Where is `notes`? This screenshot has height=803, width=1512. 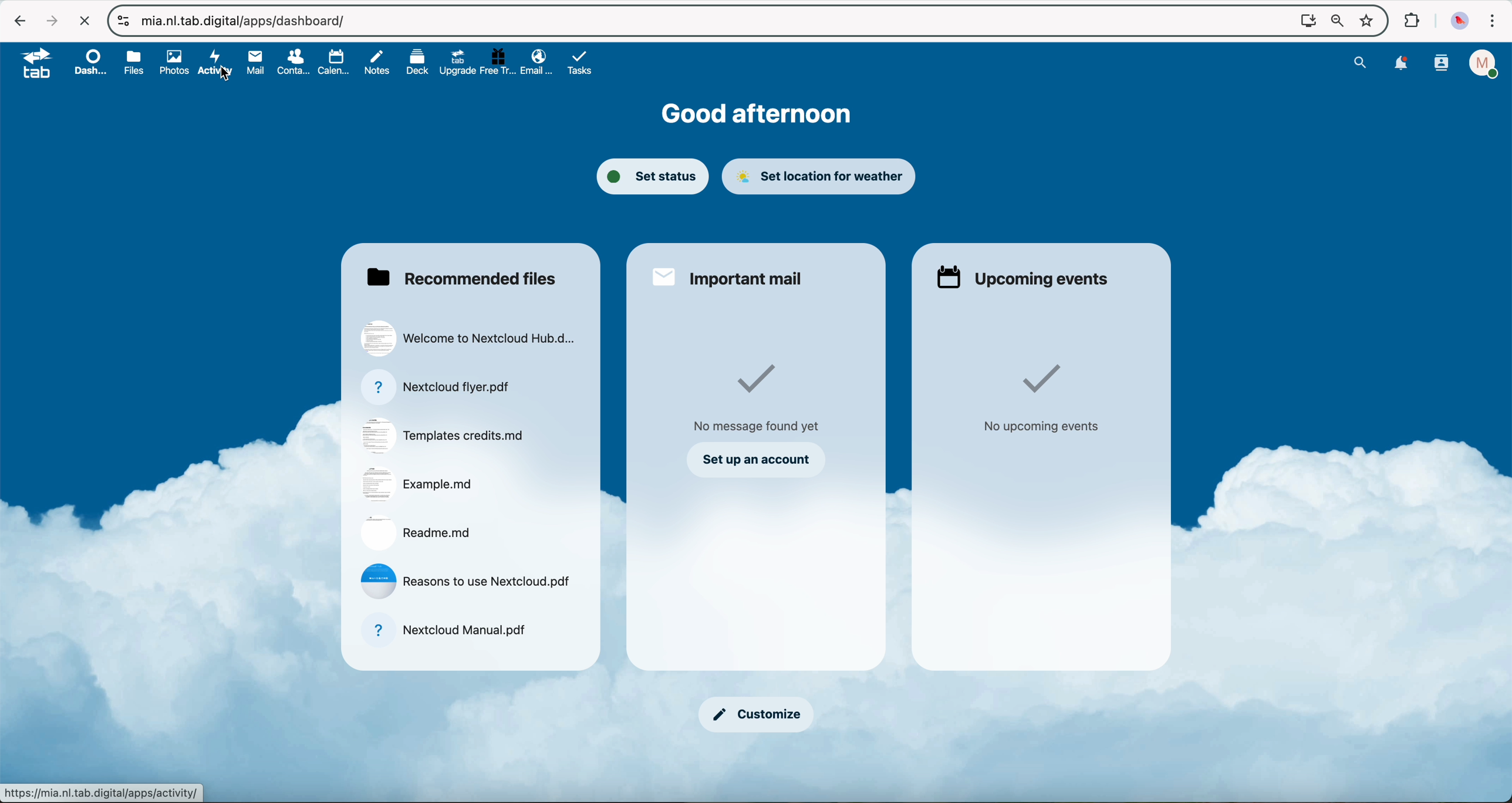 notes is located at coordinates (379, 62).